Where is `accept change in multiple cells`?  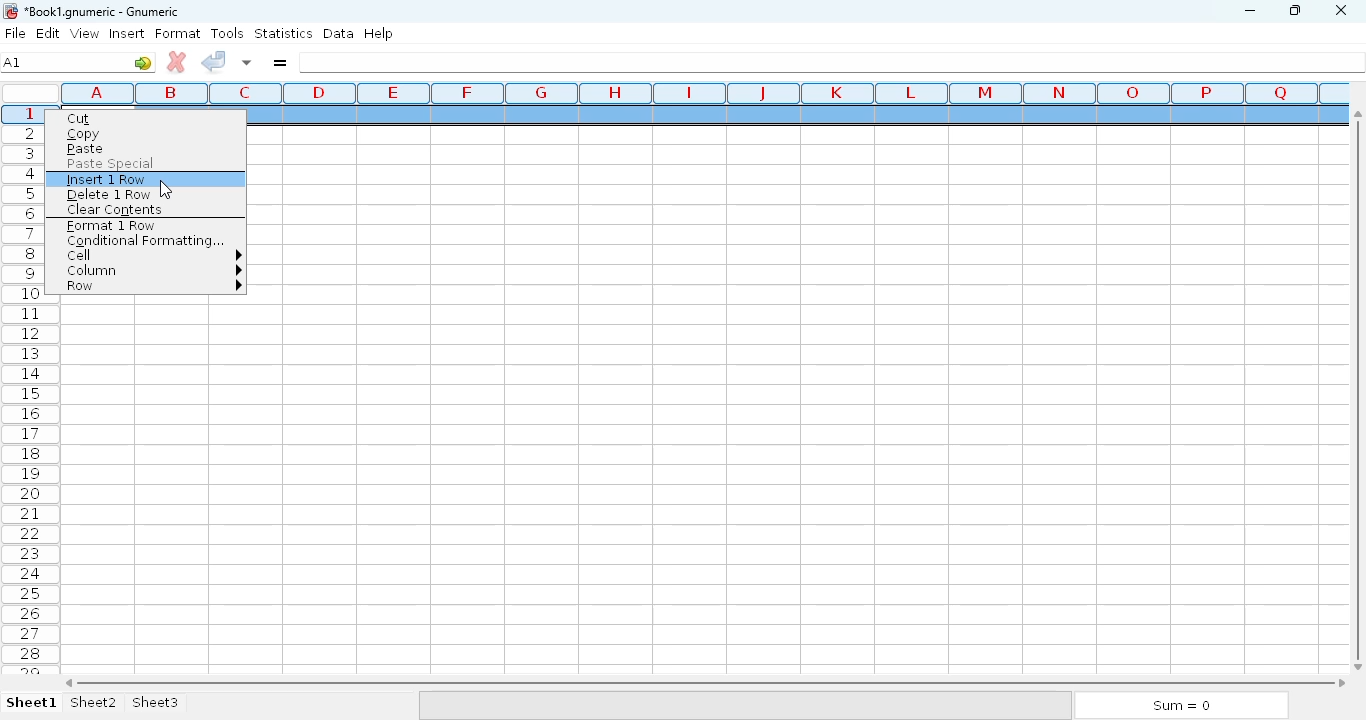
accept change in multiple cells is located at coordinates (247, 62).